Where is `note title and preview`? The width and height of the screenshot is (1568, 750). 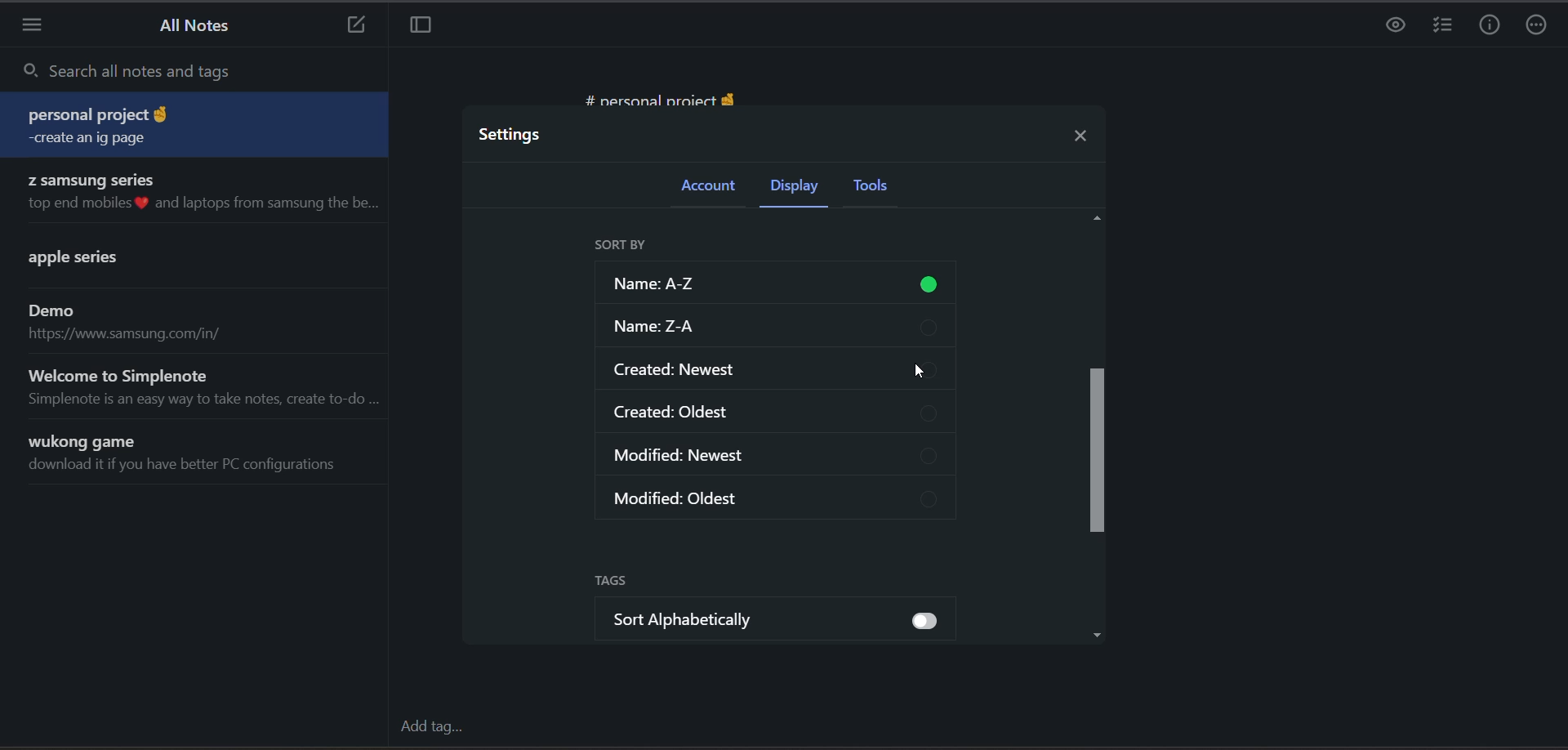 note title and preview is located at coordinates (206, 386).